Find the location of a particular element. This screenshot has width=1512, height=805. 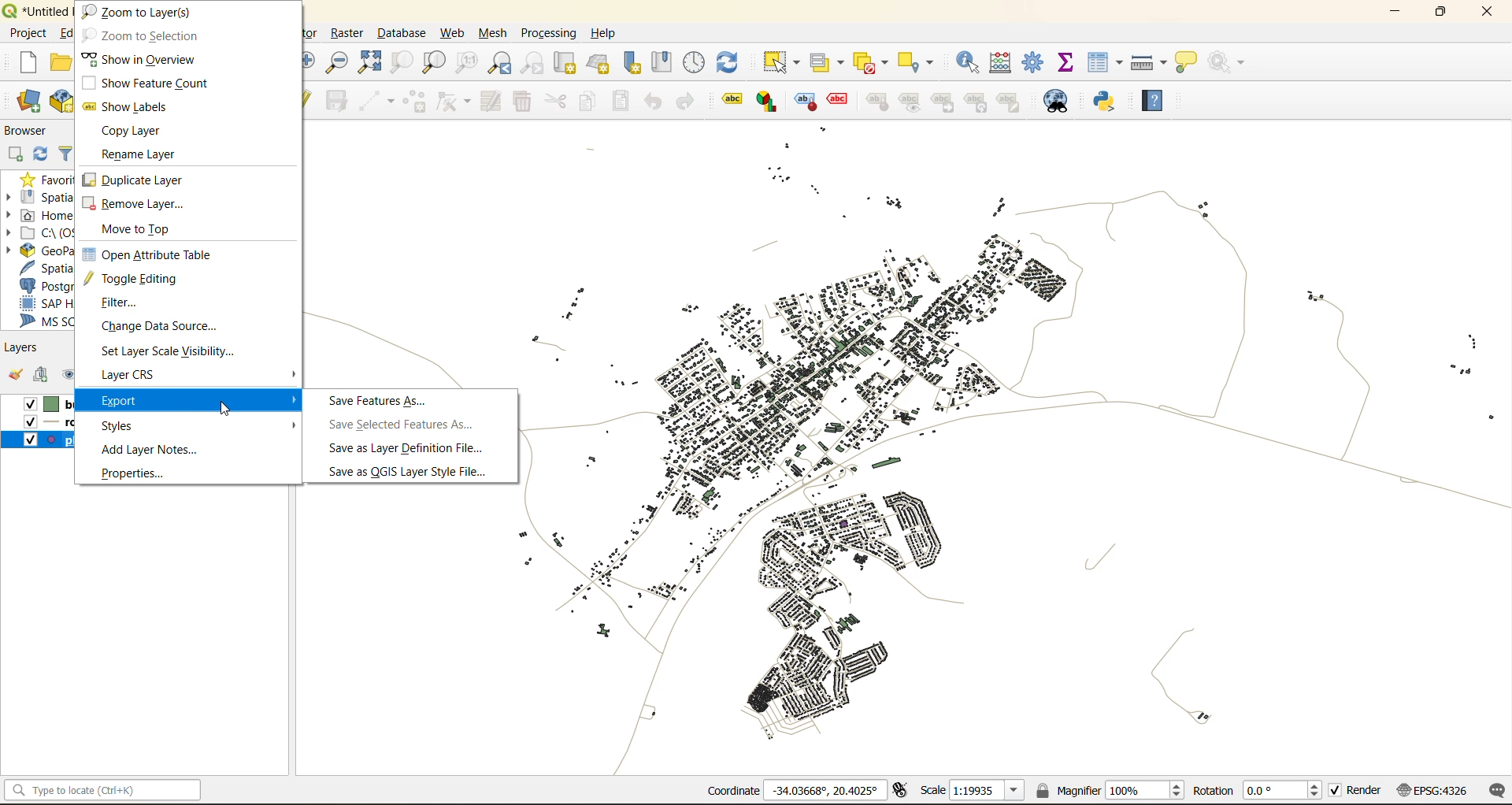

refresh is located at coordinates (736, 59).